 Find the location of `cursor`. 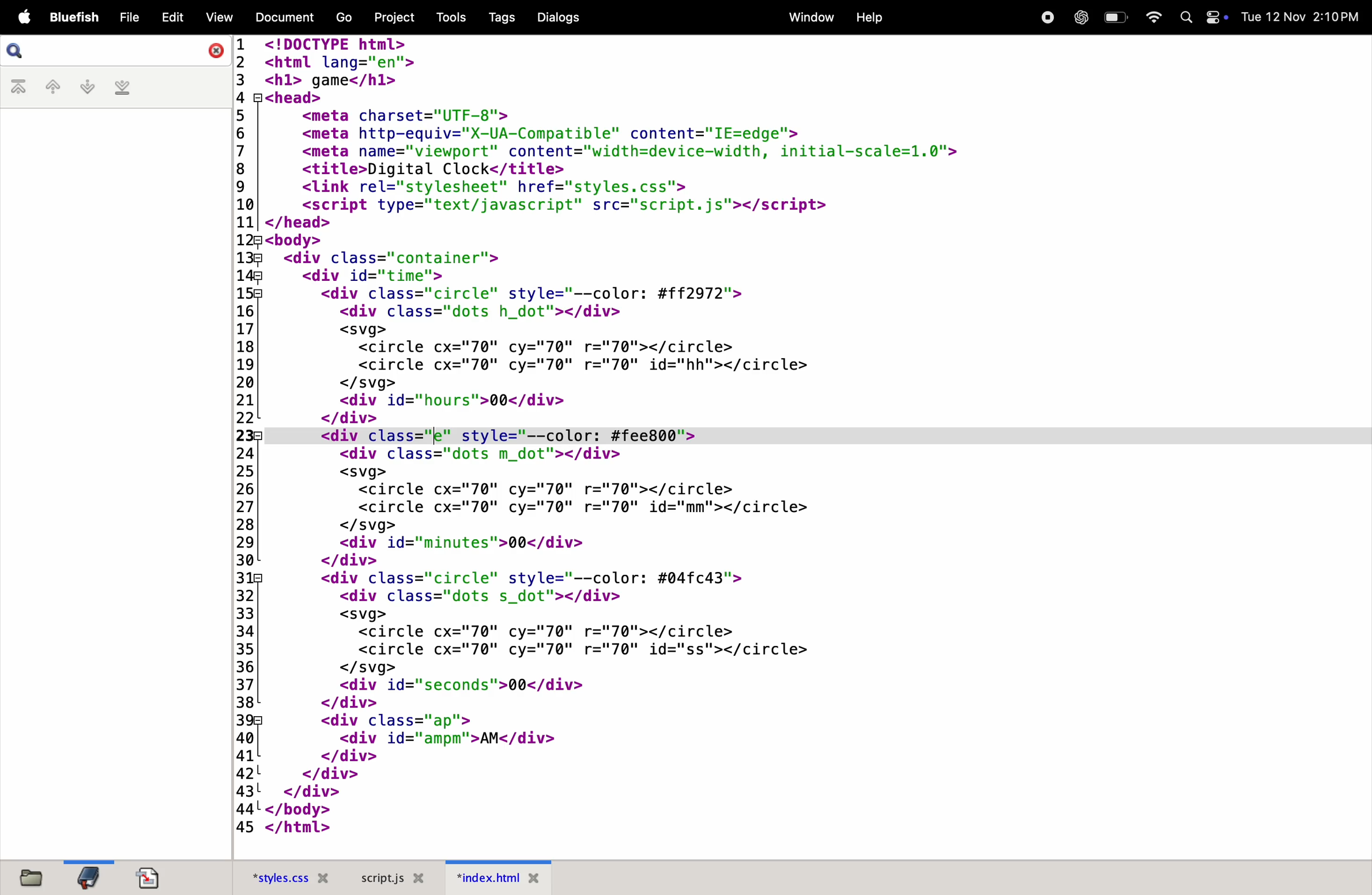

cursor is located at coordinates (438, 435).